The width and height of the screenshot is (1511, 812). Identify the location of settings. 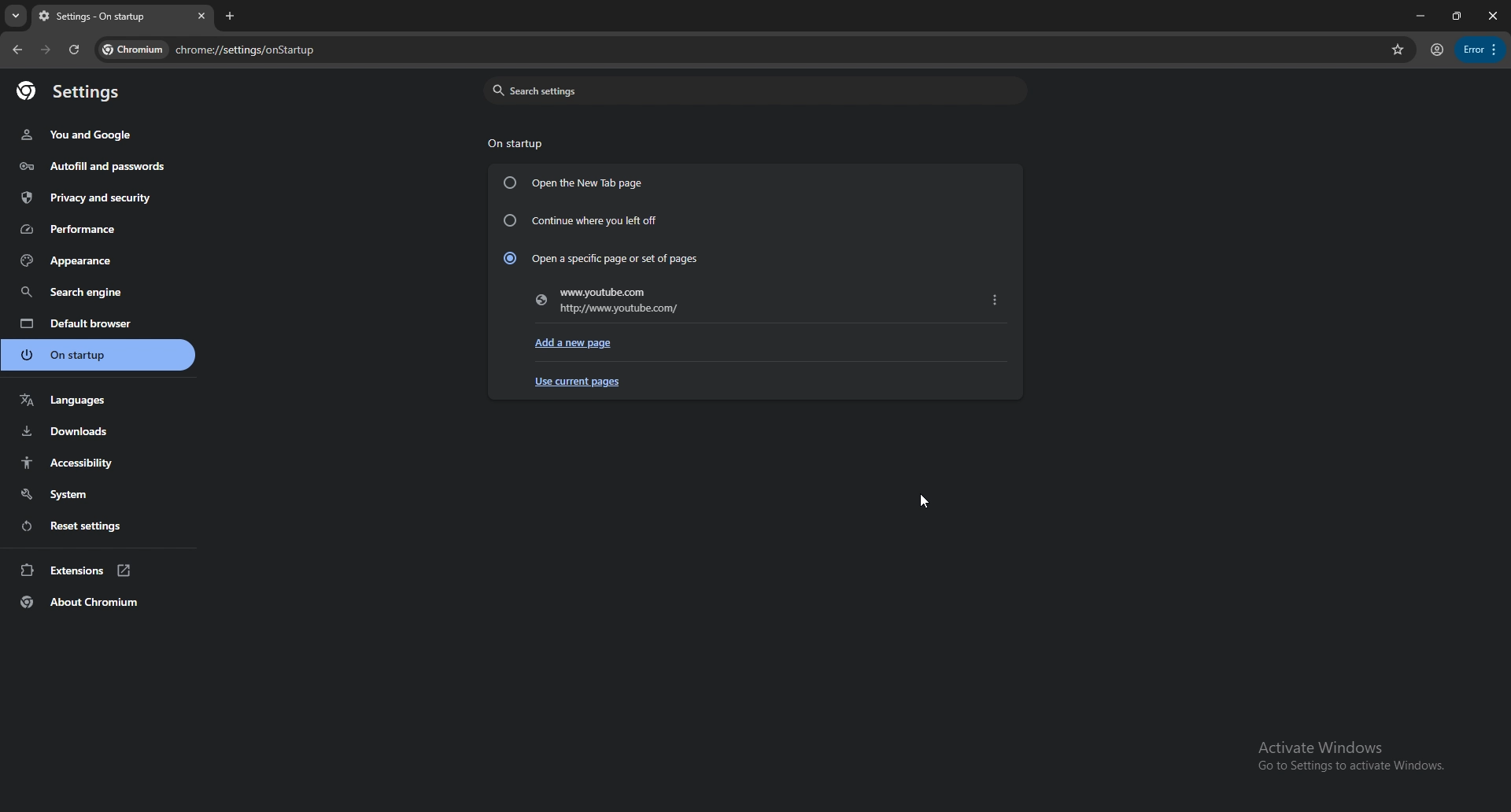
(80, 93).